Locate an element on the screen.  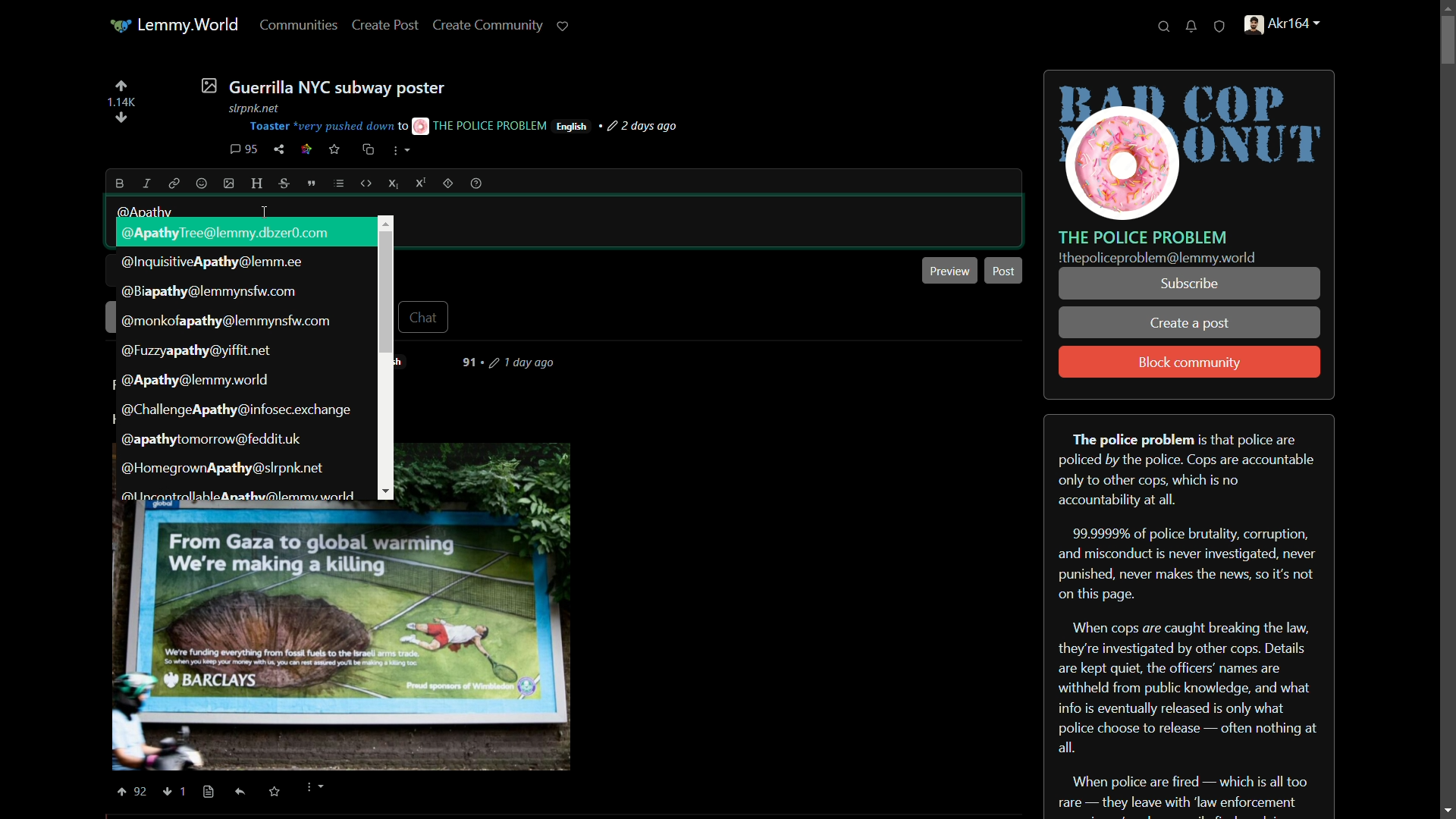
spoiler is located at coordinates (447, 183).